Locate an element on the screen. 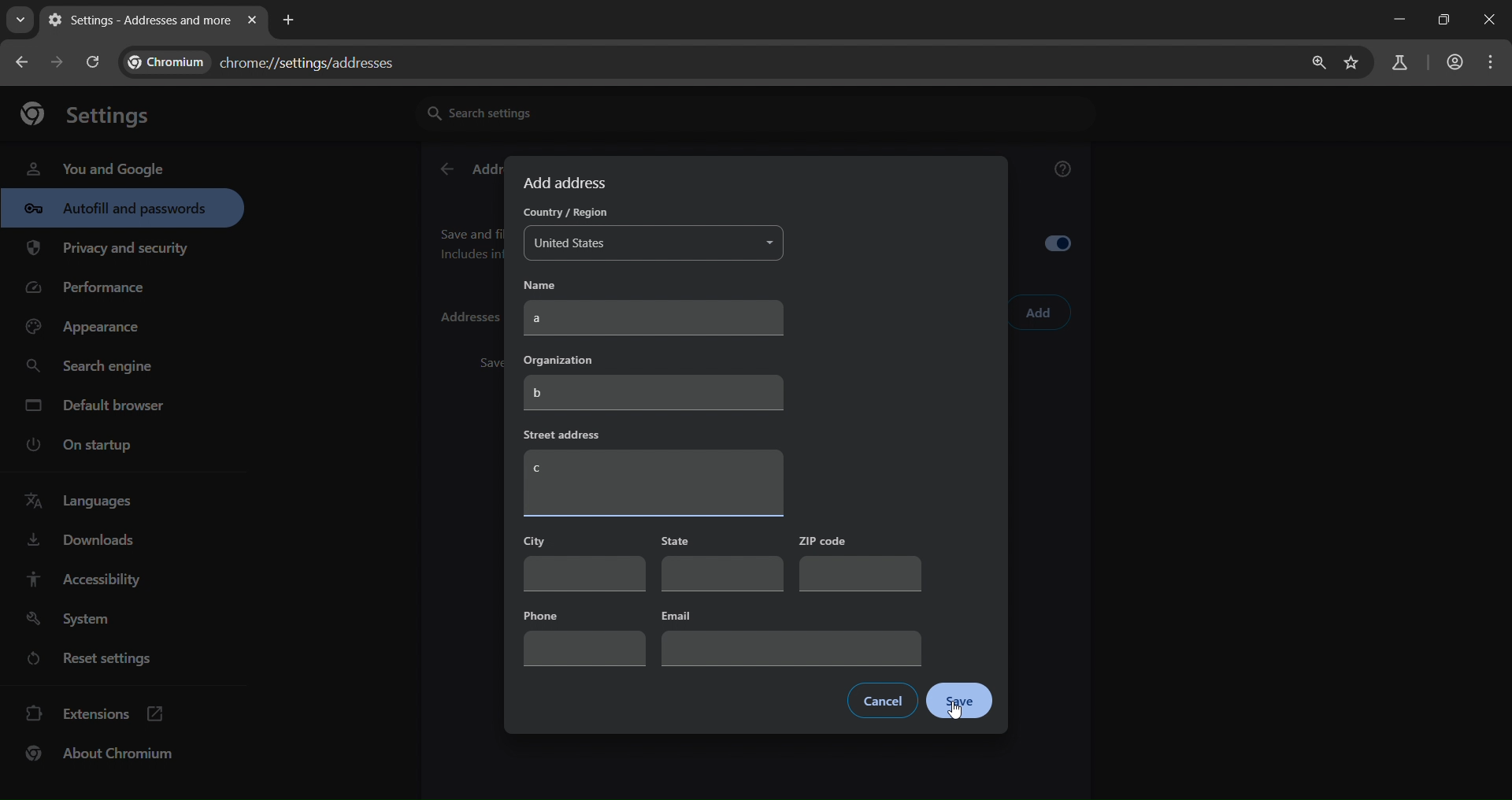  bout chromium is located at coordinates (102, 753).